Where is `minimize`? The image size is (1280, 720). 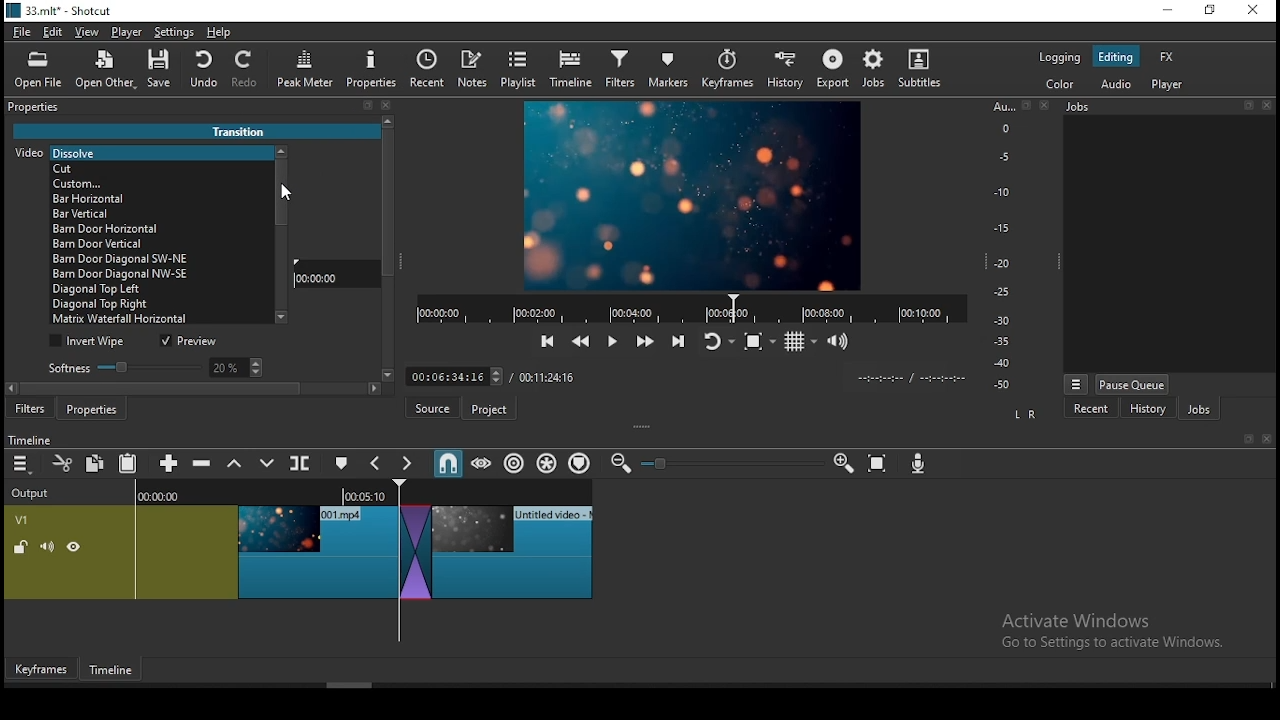 minimize is located at coordinates (1171, 11).